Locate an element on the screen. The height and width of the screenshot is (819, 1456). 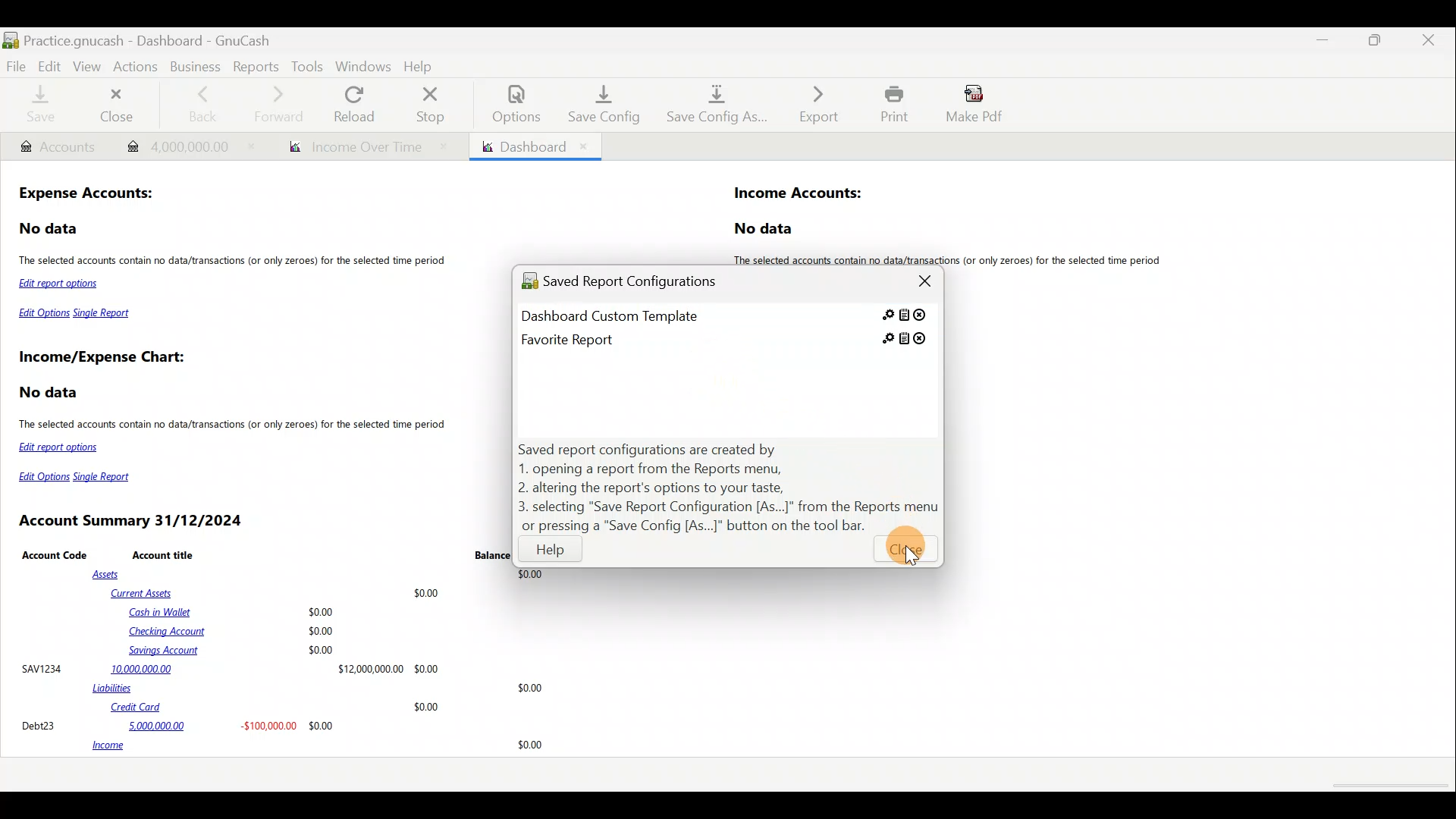
No data is located at coordinates (766, 229).